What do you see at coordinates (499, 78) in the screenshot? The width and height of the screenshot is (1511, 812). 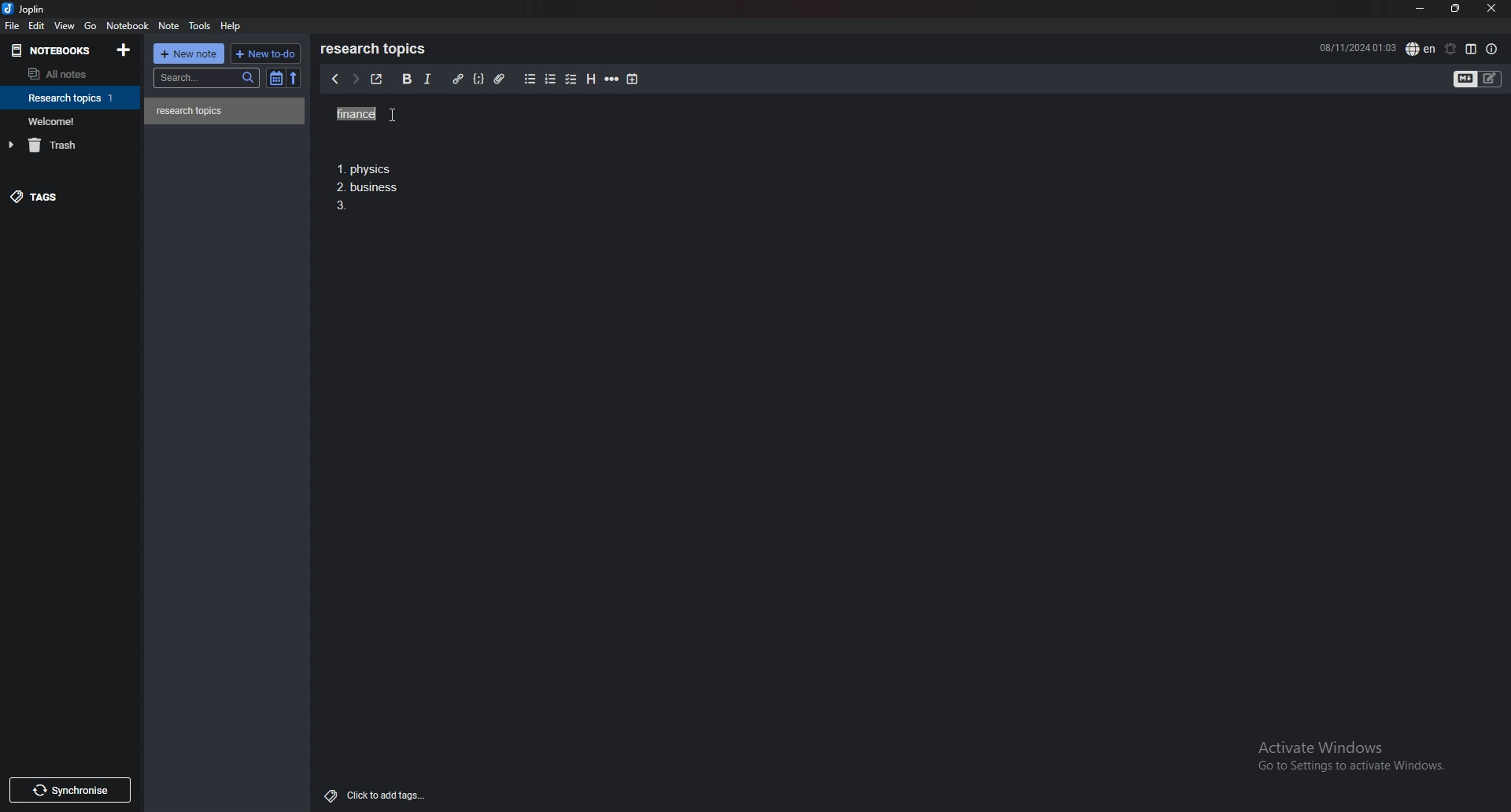 I see `attachment` at bounding box center [499, 78].